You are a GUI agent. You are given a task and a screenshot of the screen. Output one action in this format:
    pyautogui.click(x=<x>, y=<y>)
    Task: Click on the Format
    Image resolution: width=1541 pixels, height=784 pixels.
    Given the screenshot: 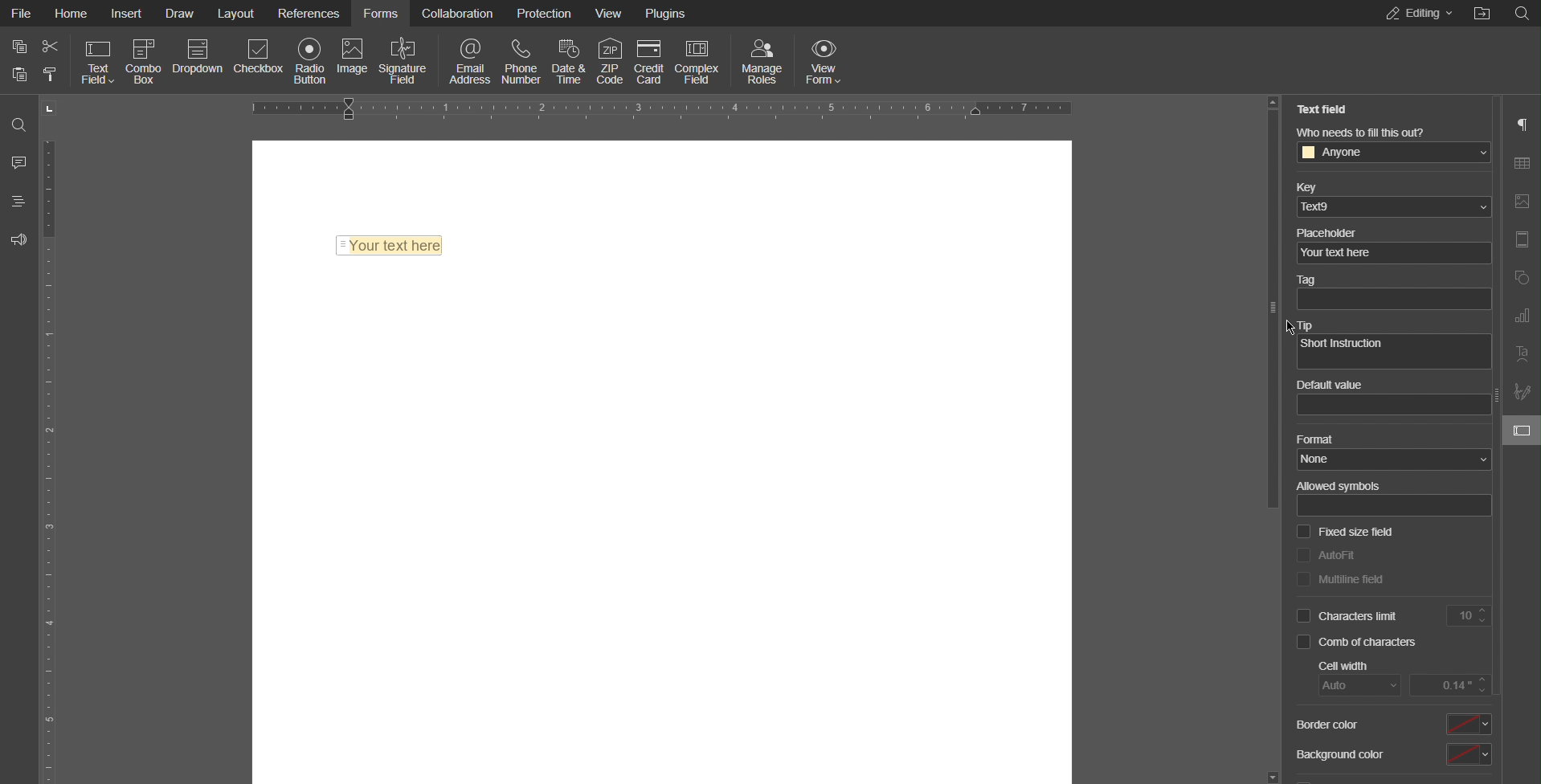 What is the action you would take?
    pyautogui.click(x=1322, y=437)
    